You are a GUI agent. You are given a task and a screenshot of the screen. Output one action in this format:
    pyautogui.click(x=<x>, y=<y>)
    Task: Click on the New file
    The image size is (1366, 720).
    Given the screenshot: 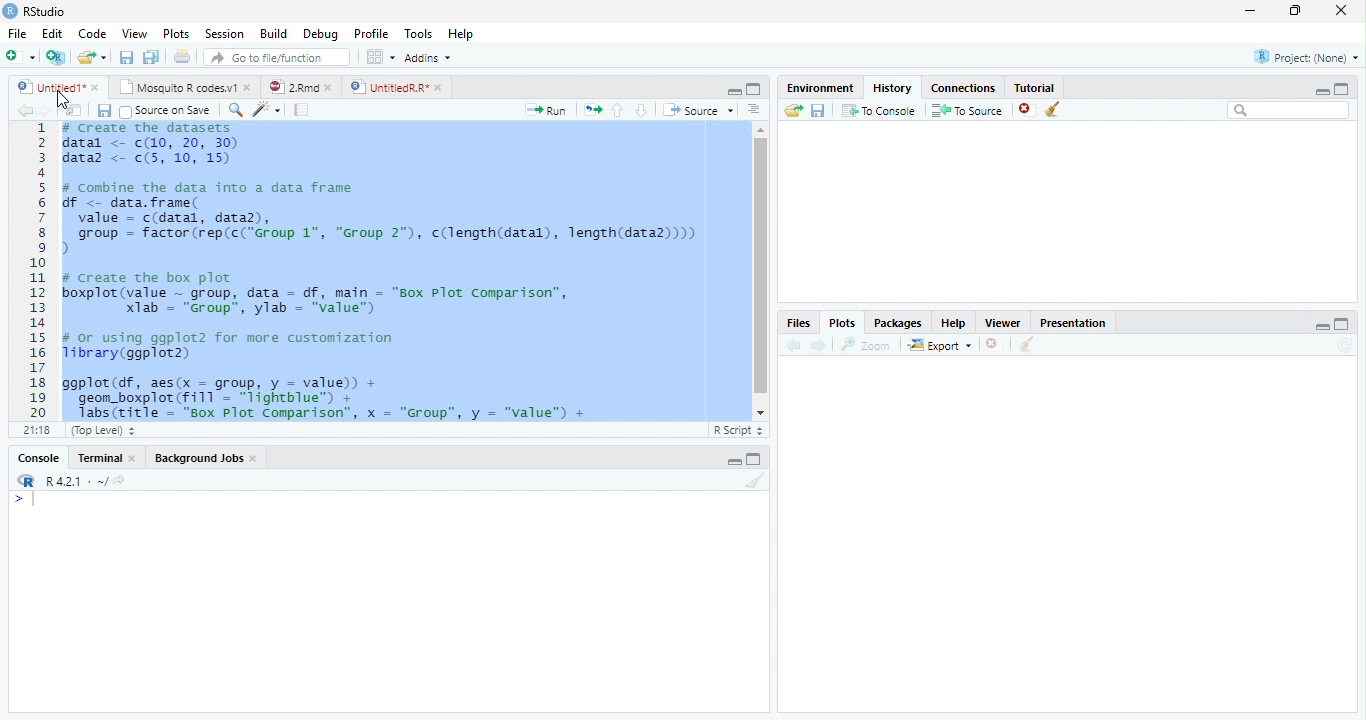 What is the action you would take?
    pyautogui.click(x=20, y=57)
    